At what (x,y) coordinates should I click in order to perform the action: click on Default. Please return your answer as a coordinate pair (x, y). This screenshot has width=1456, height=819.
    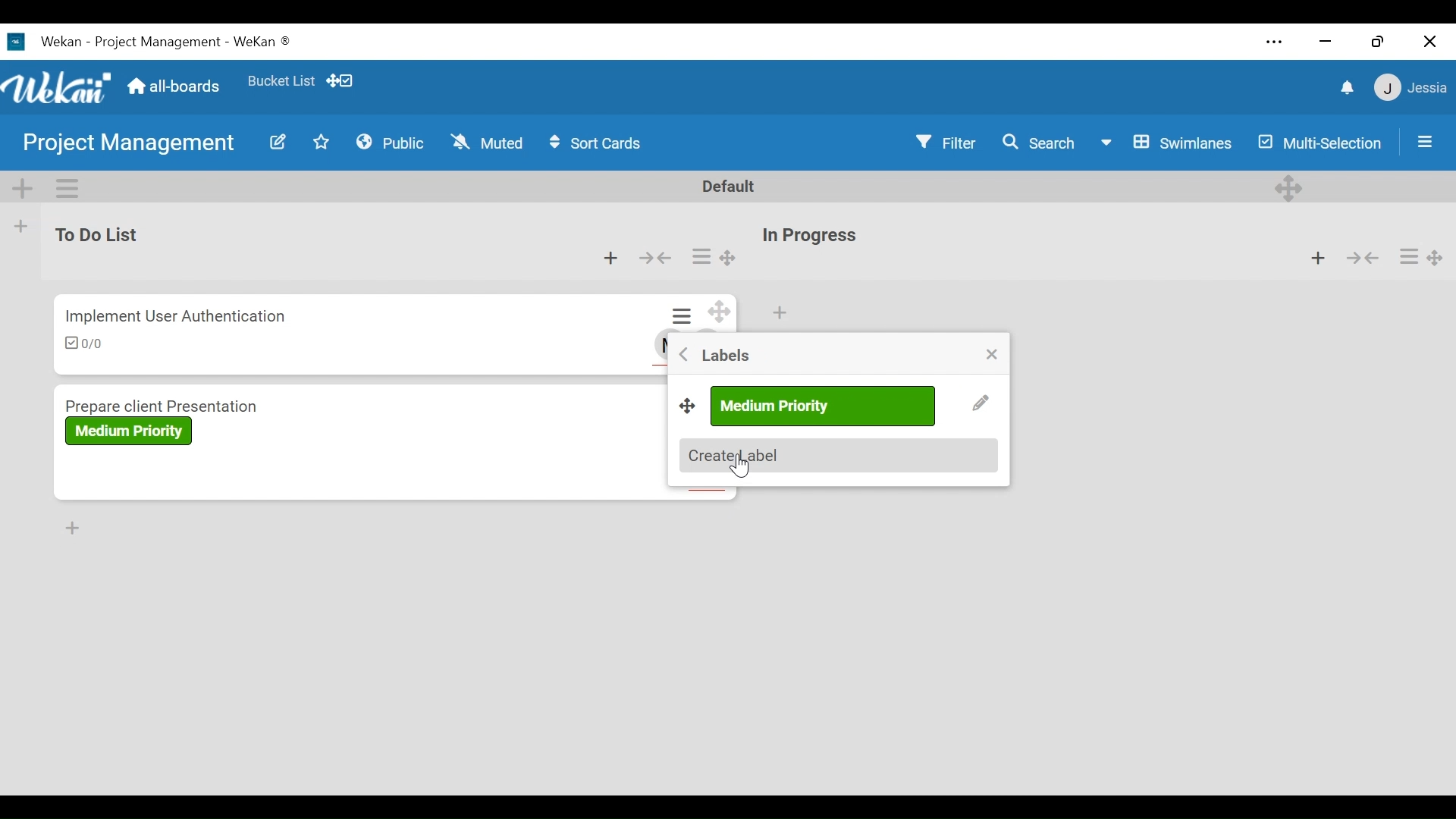
    Looking at the image, I should click on (731, 186).